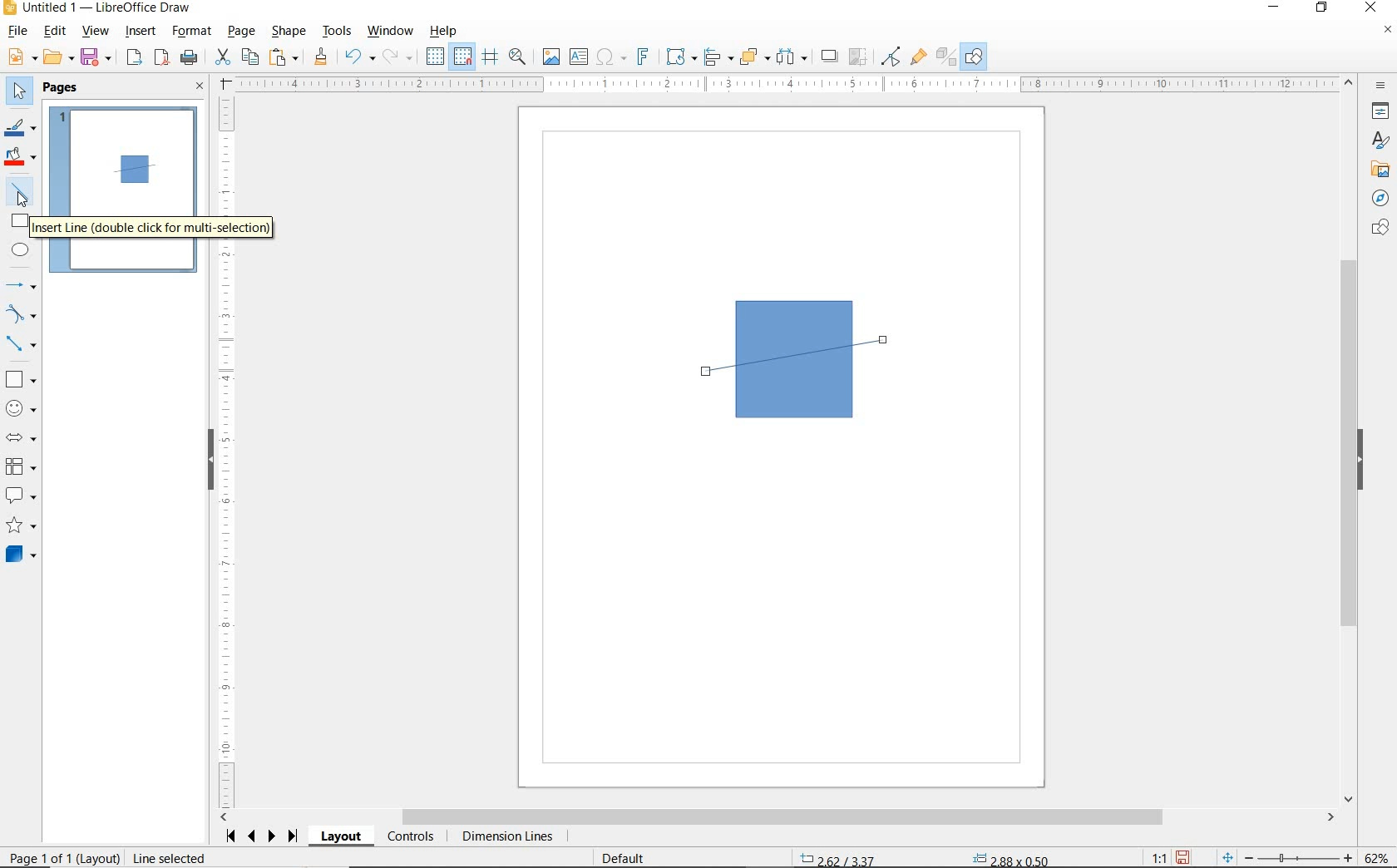  I want to click on TOGGLE EXTRUSION, so click(945, 56).